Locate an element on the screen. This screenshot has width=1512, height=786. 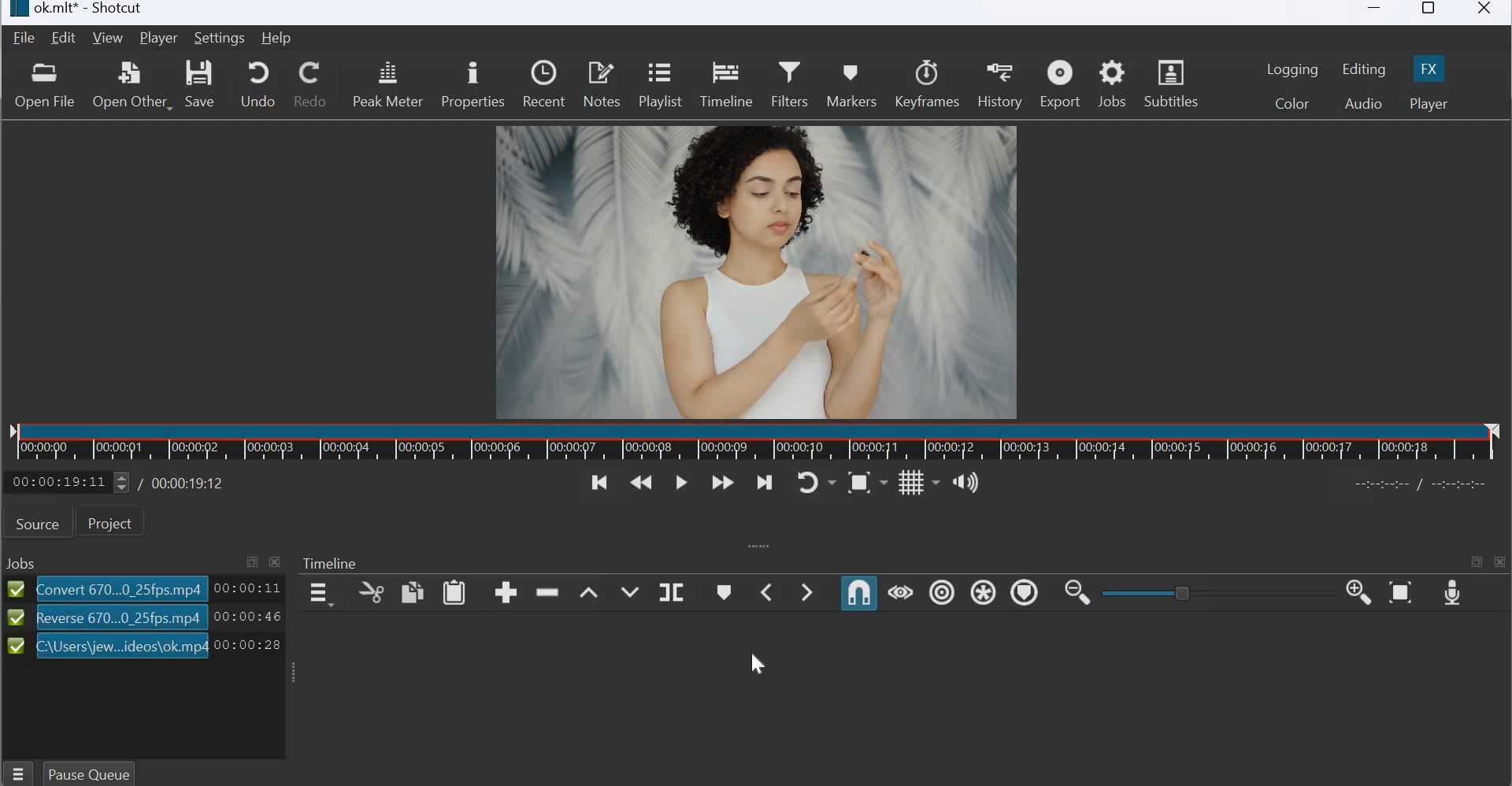
Properties is located at coordinates (473, 84).